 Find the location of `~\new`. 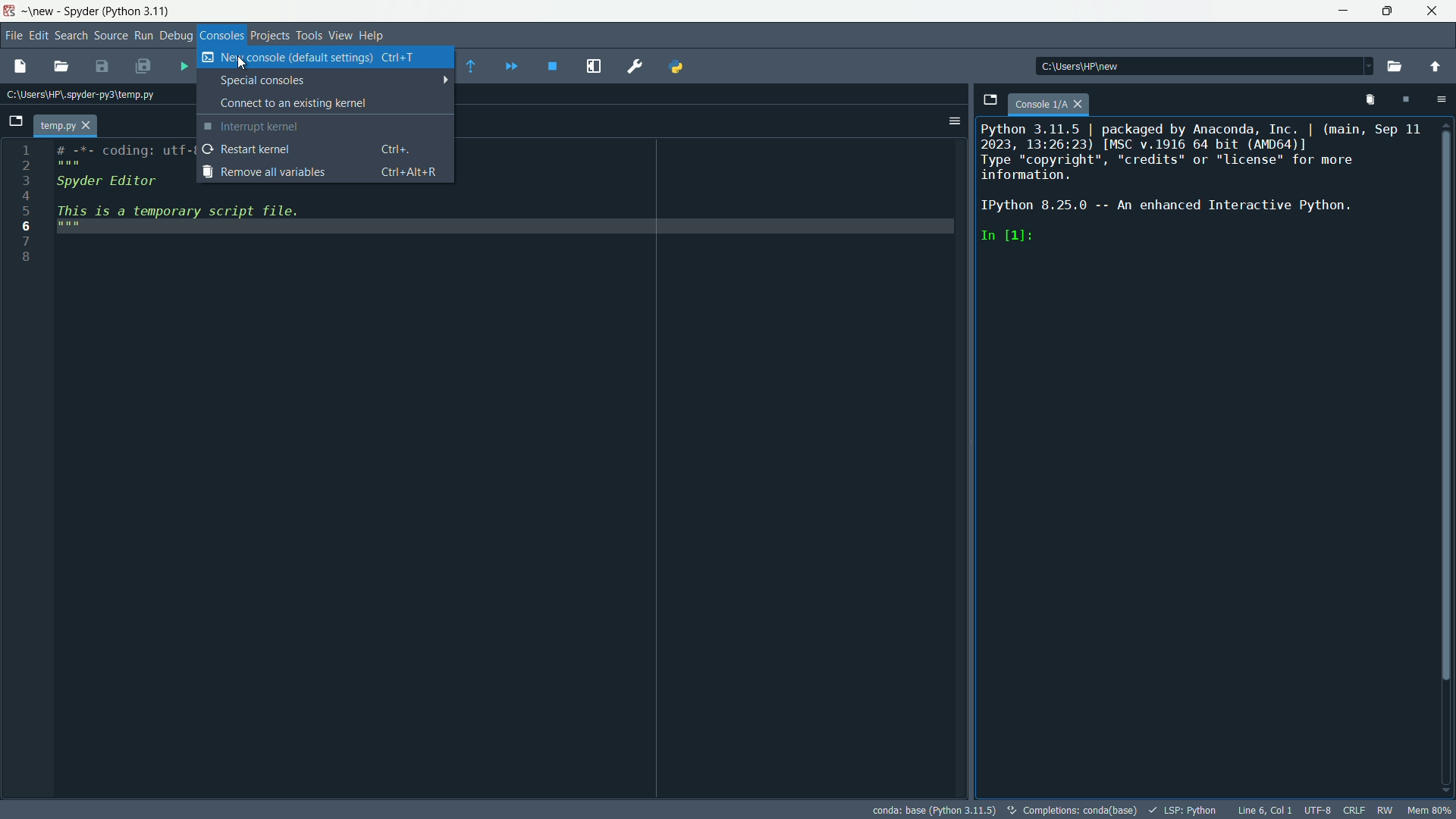

~\new is located at coordinates (39, 11).